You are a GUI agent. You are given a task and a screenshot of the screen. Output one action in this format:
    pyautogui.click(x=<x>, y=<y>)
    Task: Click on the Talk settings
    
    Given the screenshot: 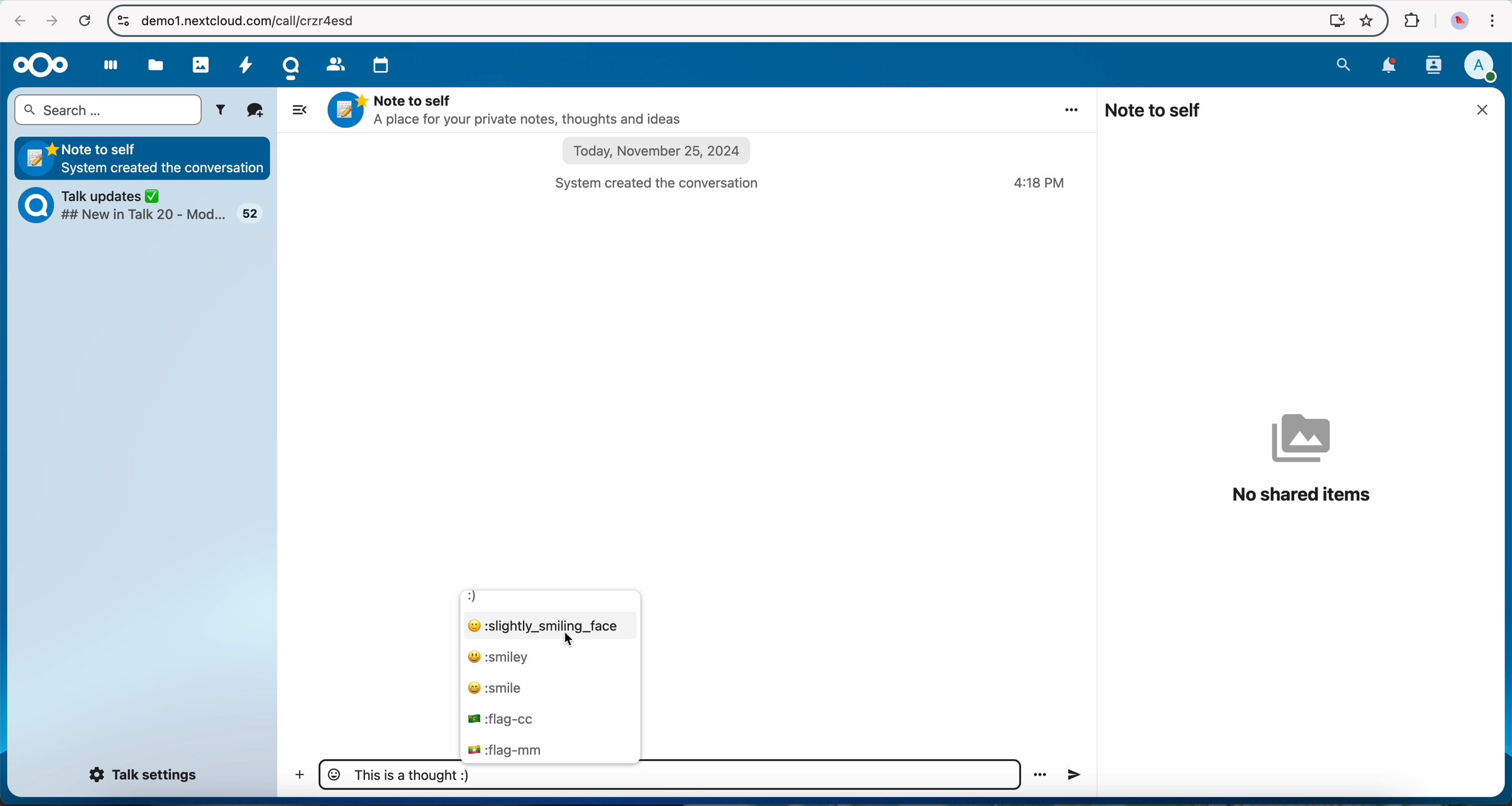 What is the action you would take?
    pyautogui.click(x=146, y=775)
    